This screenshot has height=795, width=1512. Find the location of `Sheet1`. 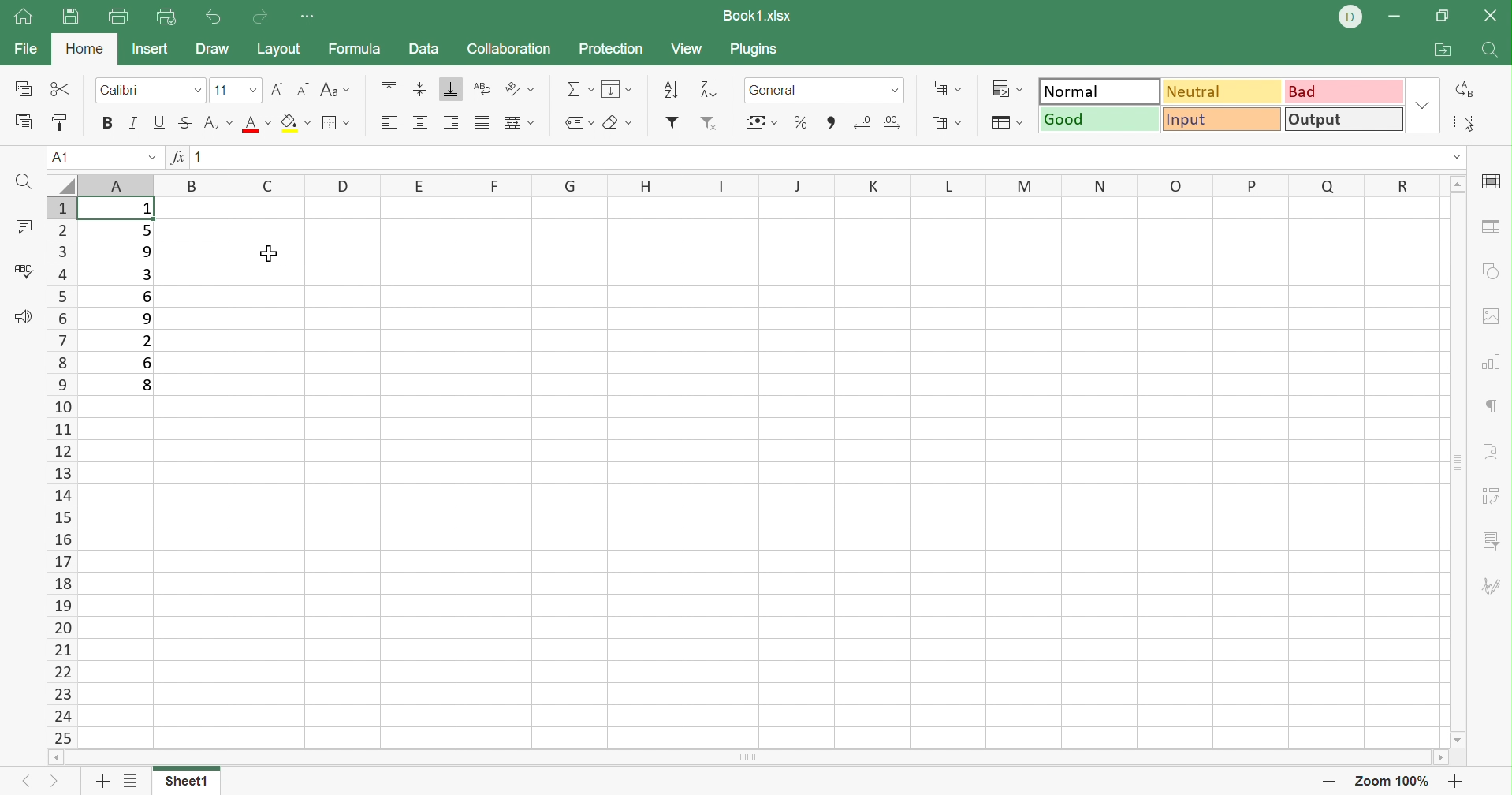

Sheet1 is located at coordinates (191, 780).